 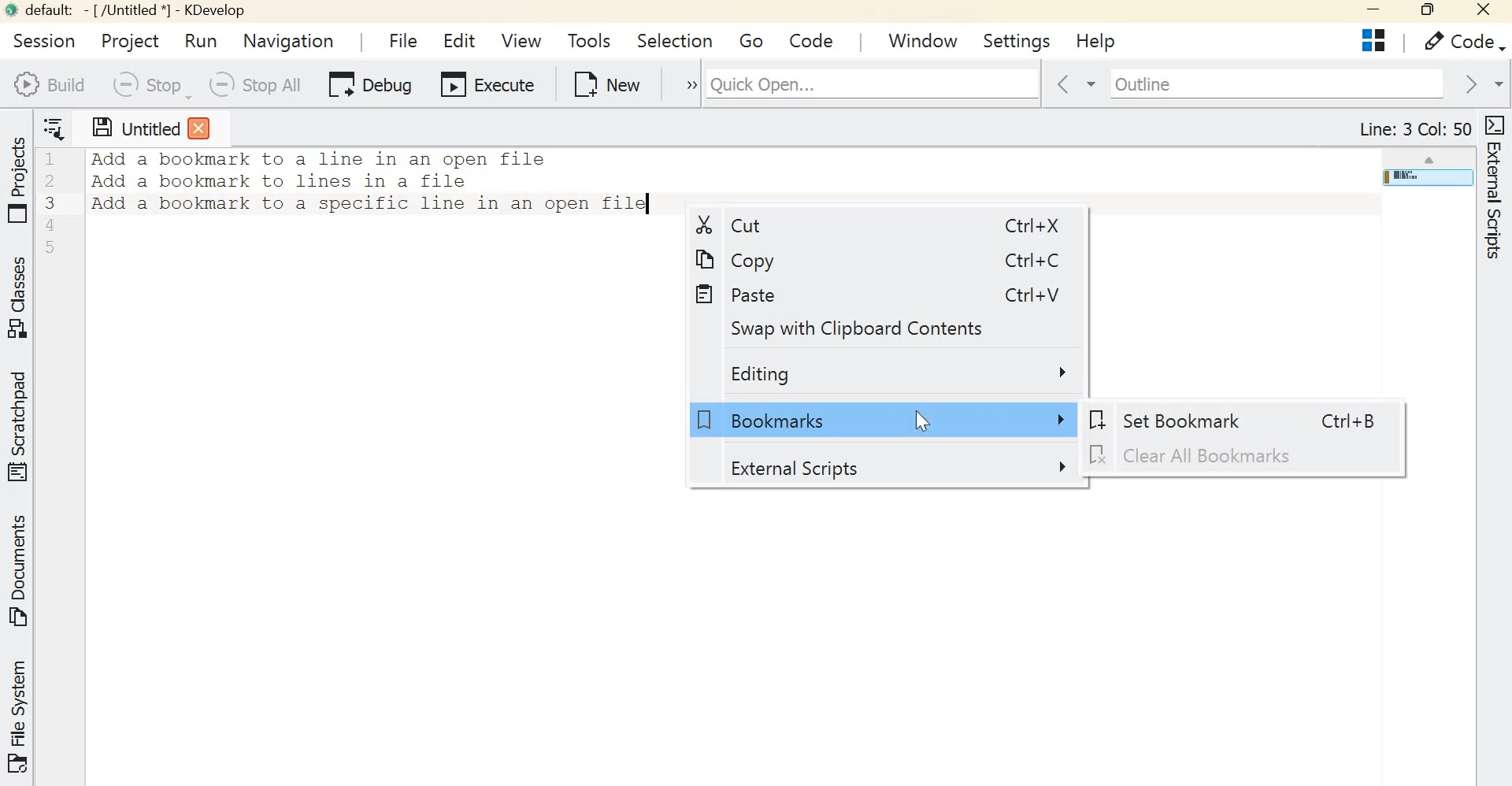 What do you see at coordinates (865, 328) in the screenshot?
I see `Swap with clipboard contents` at bounding box center [865, 328].